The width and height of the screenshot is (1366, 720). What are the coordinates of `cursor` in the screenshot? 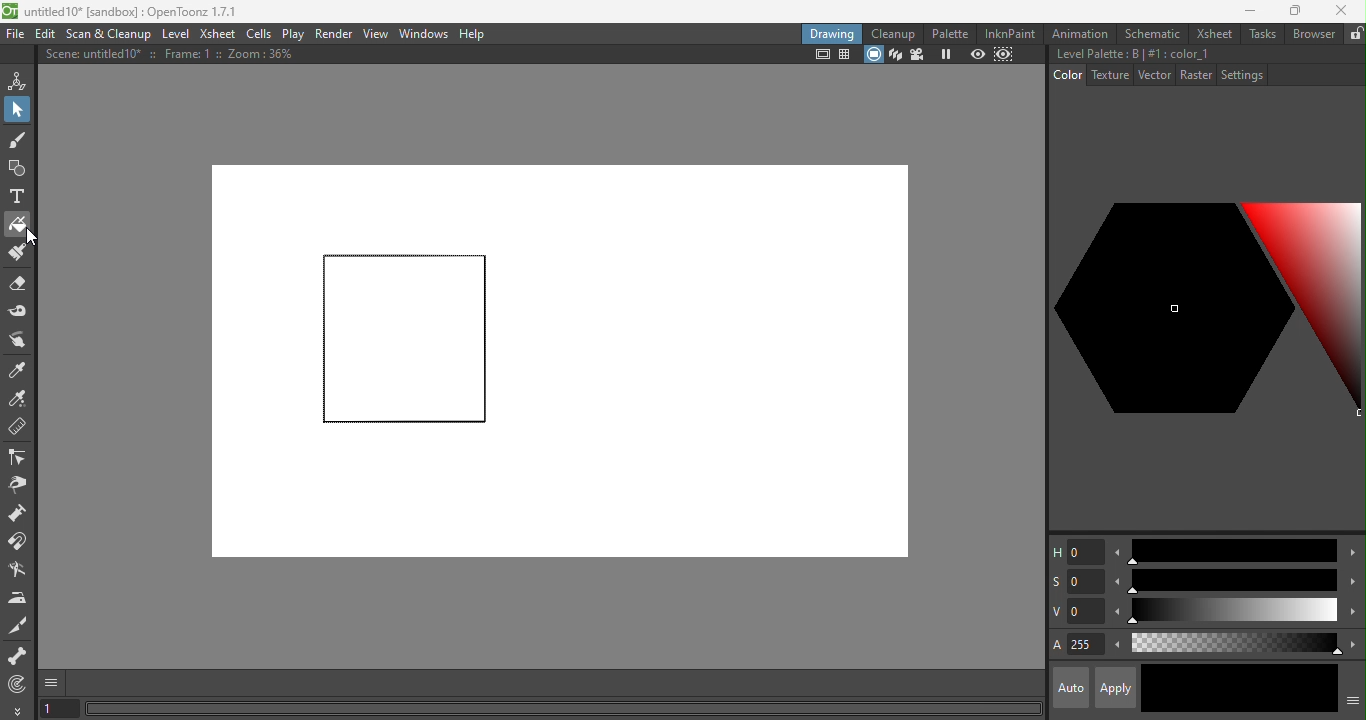 It's located at (30, 237).